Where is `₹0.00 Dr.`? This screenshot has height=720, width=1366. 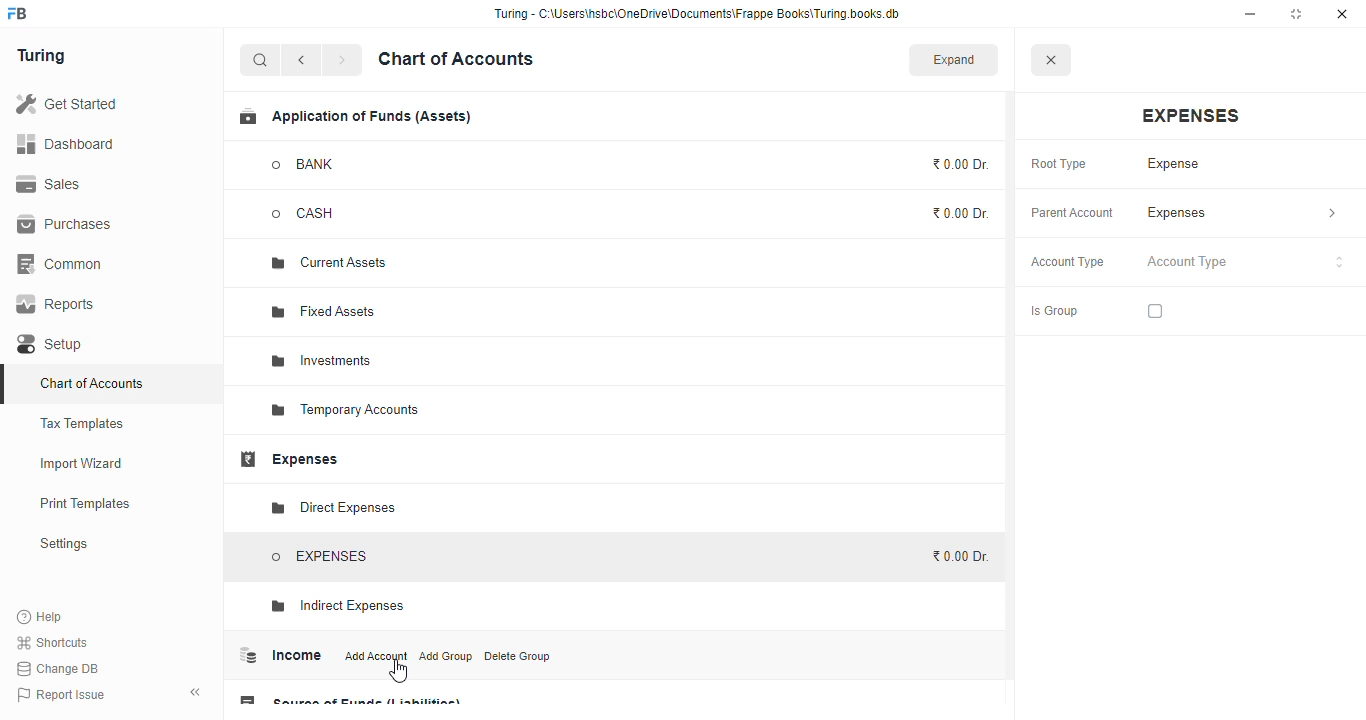 ₹0.00 Dr. is located at coordinates (962, 213).